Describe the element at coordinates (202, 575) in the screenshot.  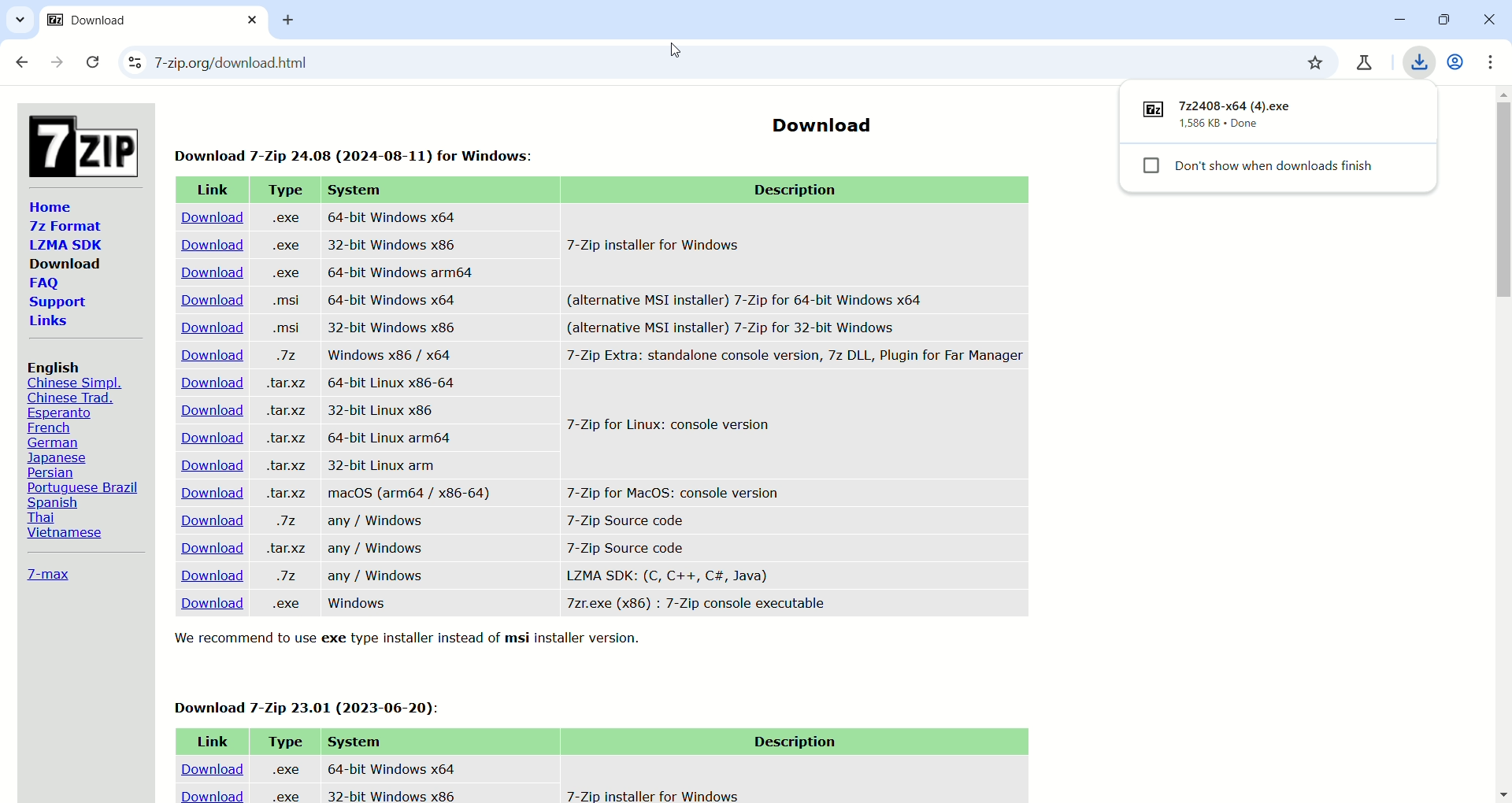
I see `Download` at that location.